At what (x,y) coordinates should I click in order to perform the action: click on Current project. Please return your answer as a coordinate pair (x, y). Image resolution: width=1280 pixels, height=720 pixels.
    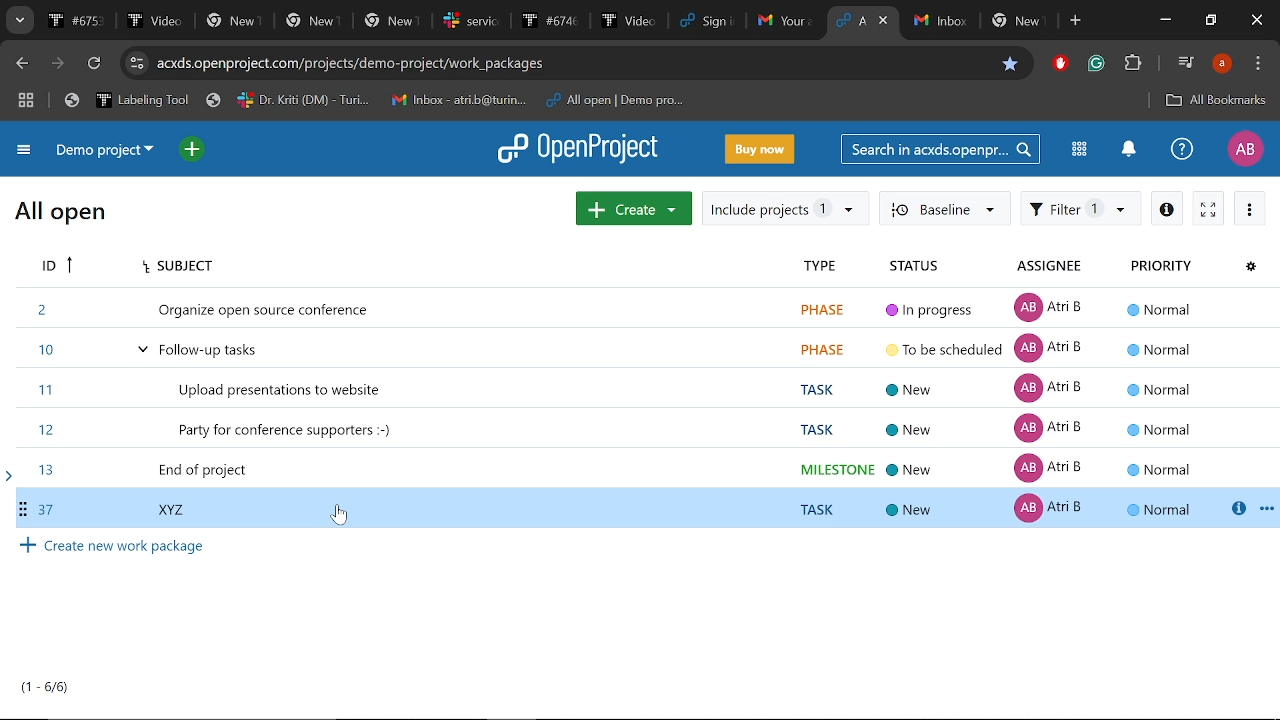
    Looking at the image, I should click on (110, 151).